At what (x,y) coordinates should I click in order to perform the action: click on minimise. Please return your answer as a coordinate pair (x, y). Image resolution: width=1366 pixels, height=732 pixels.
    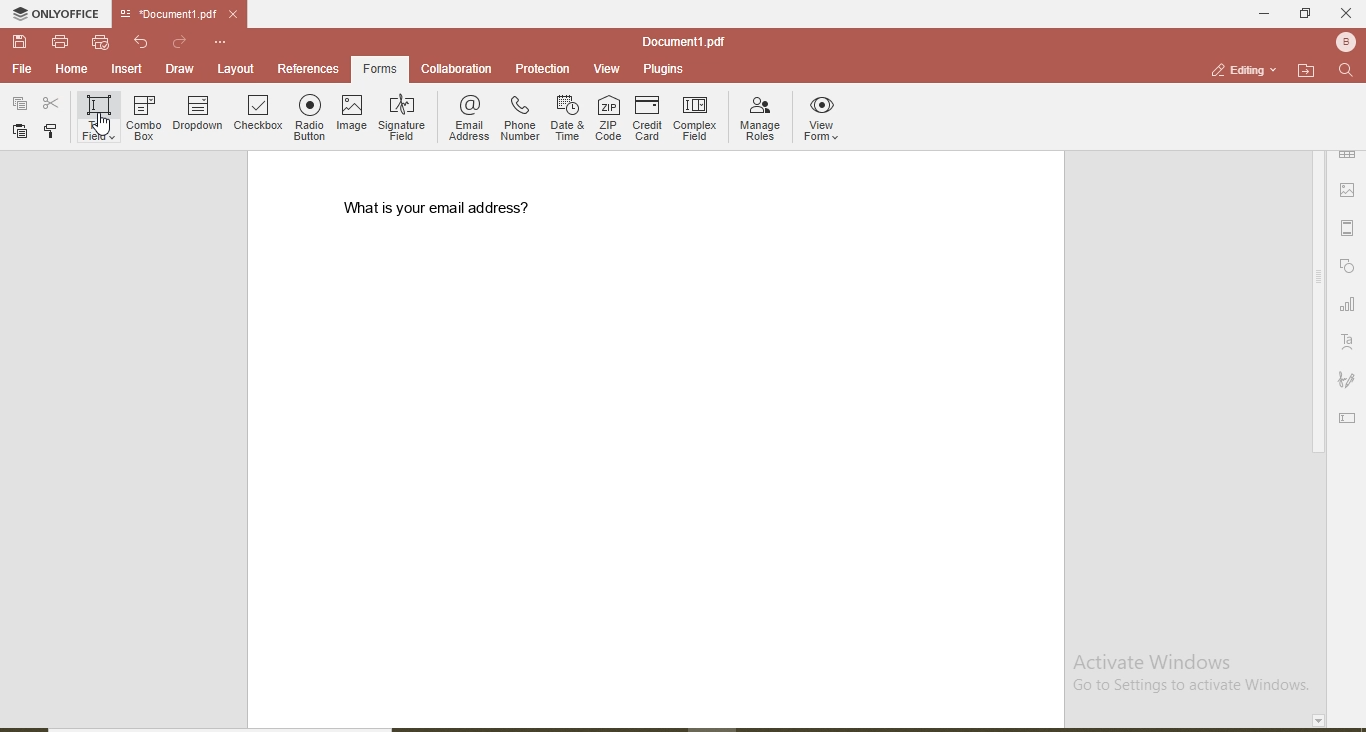
    Looking at the image, I should click on (1258, 12).